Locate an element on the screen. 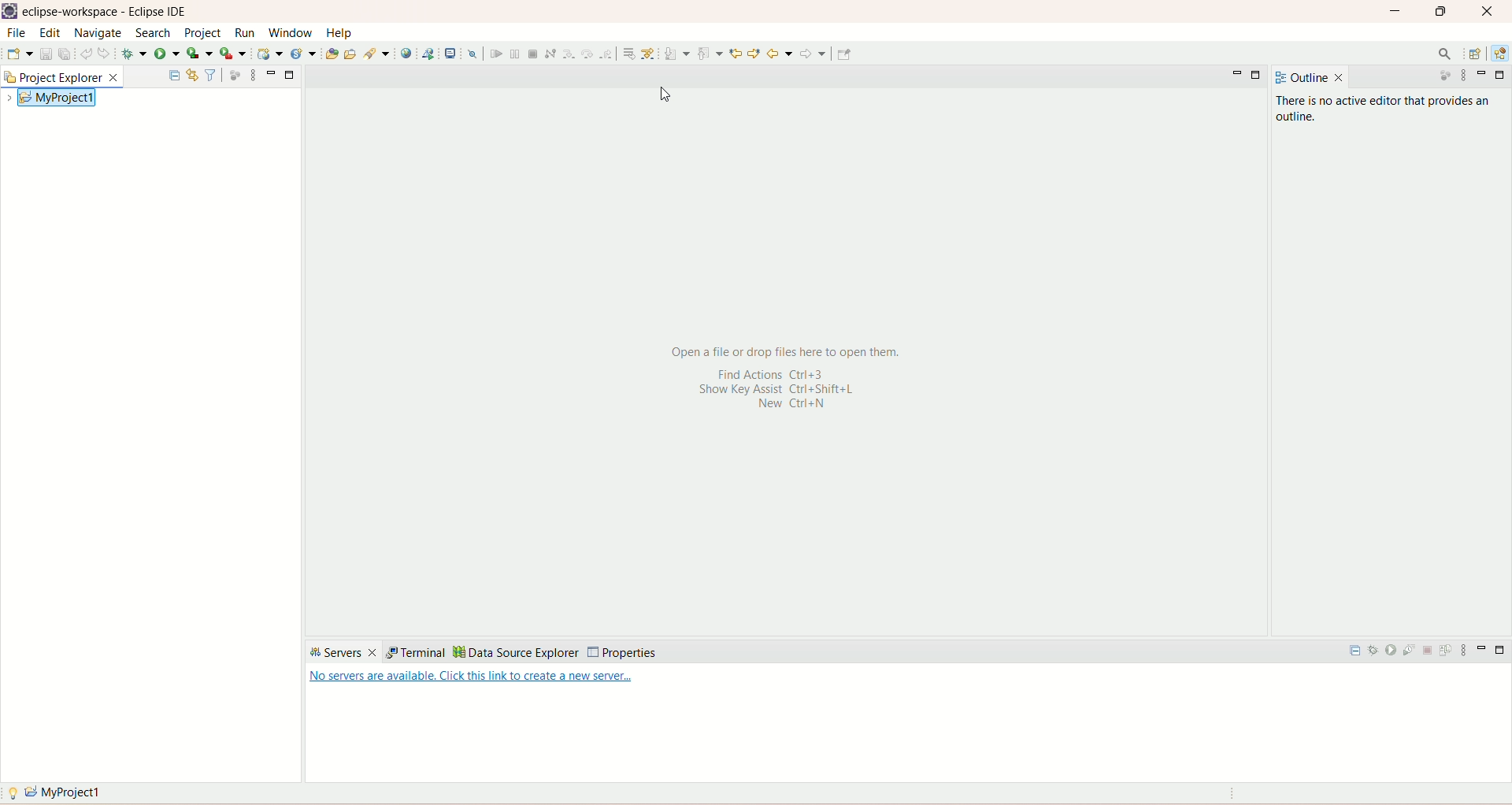 The image size is (1512, 805). skip all breakpoints is located at coordinates (472, 54).